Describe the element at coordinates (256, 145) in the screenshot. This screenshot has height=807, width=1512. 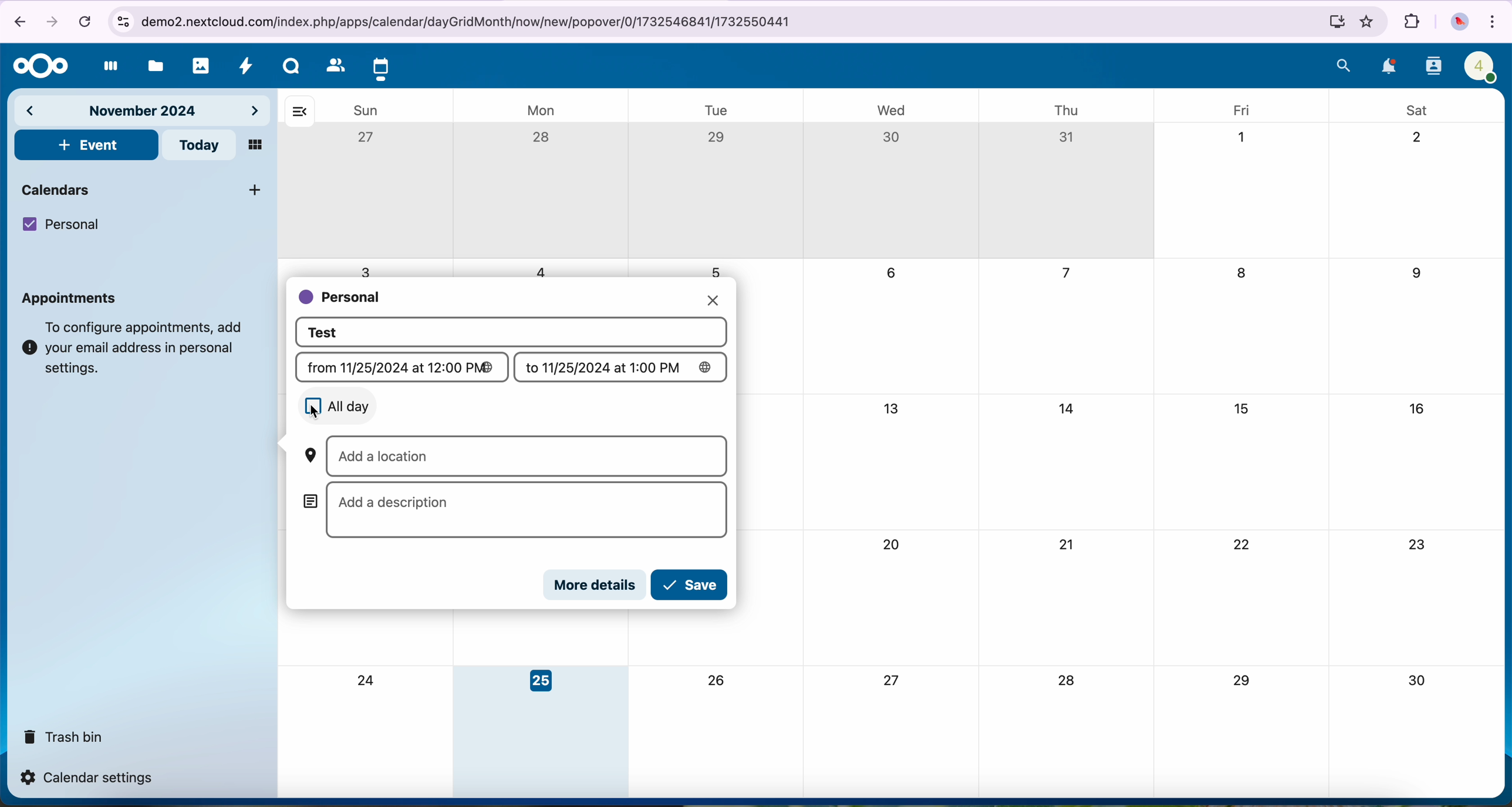
I see `mosaic view` at that location.